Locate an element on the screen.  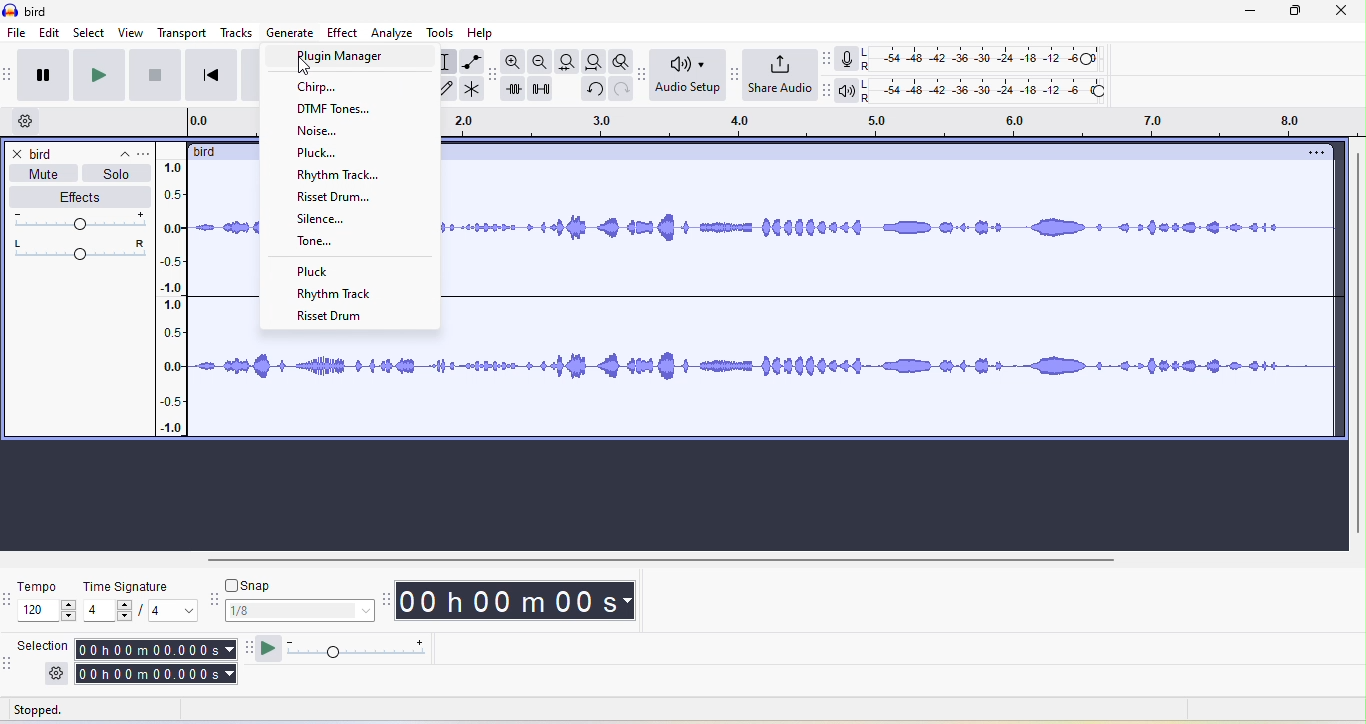
chip is located at coordinates (330, 88).